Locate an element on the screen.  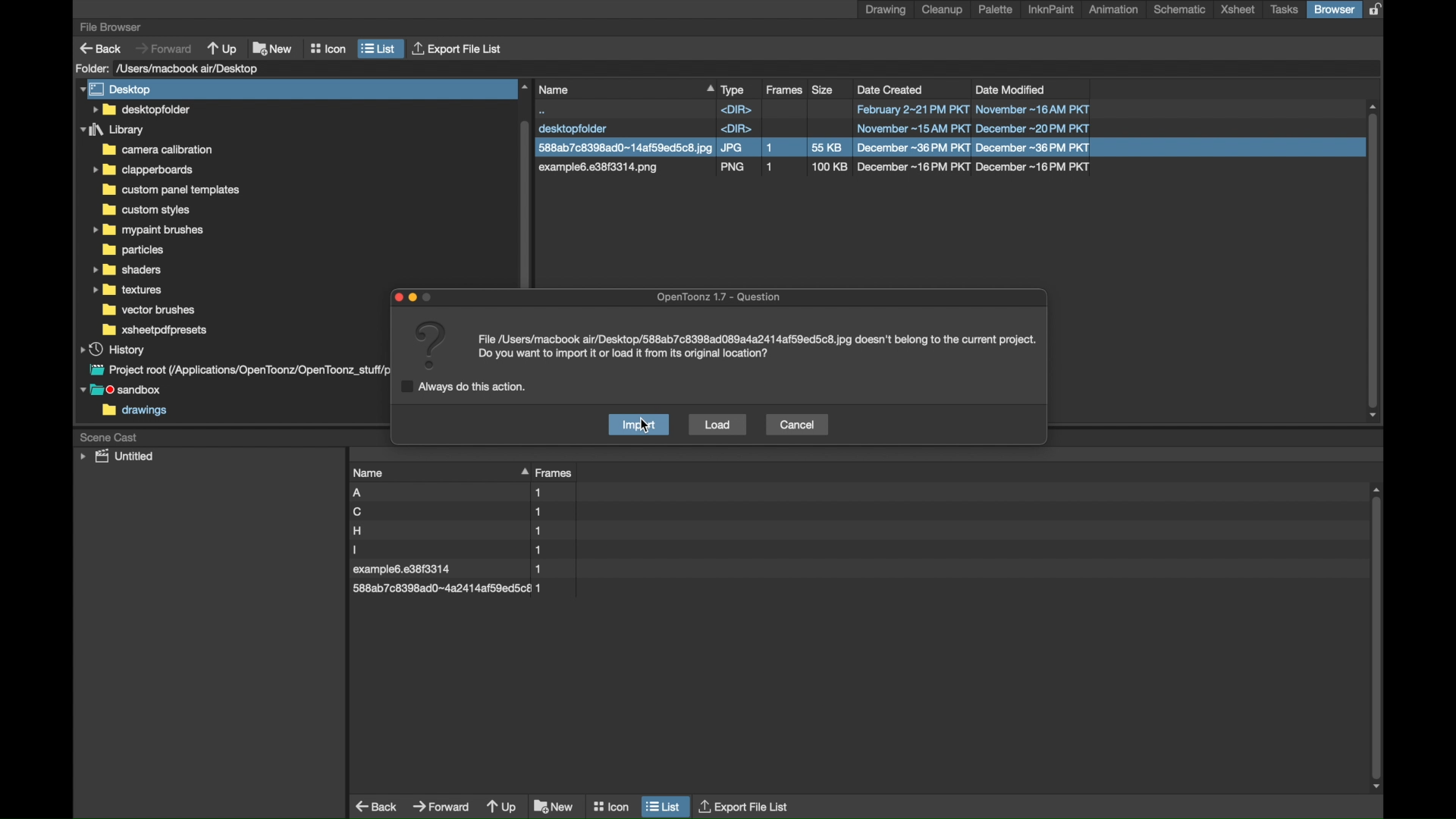
name is located at coordinates (369, 472).